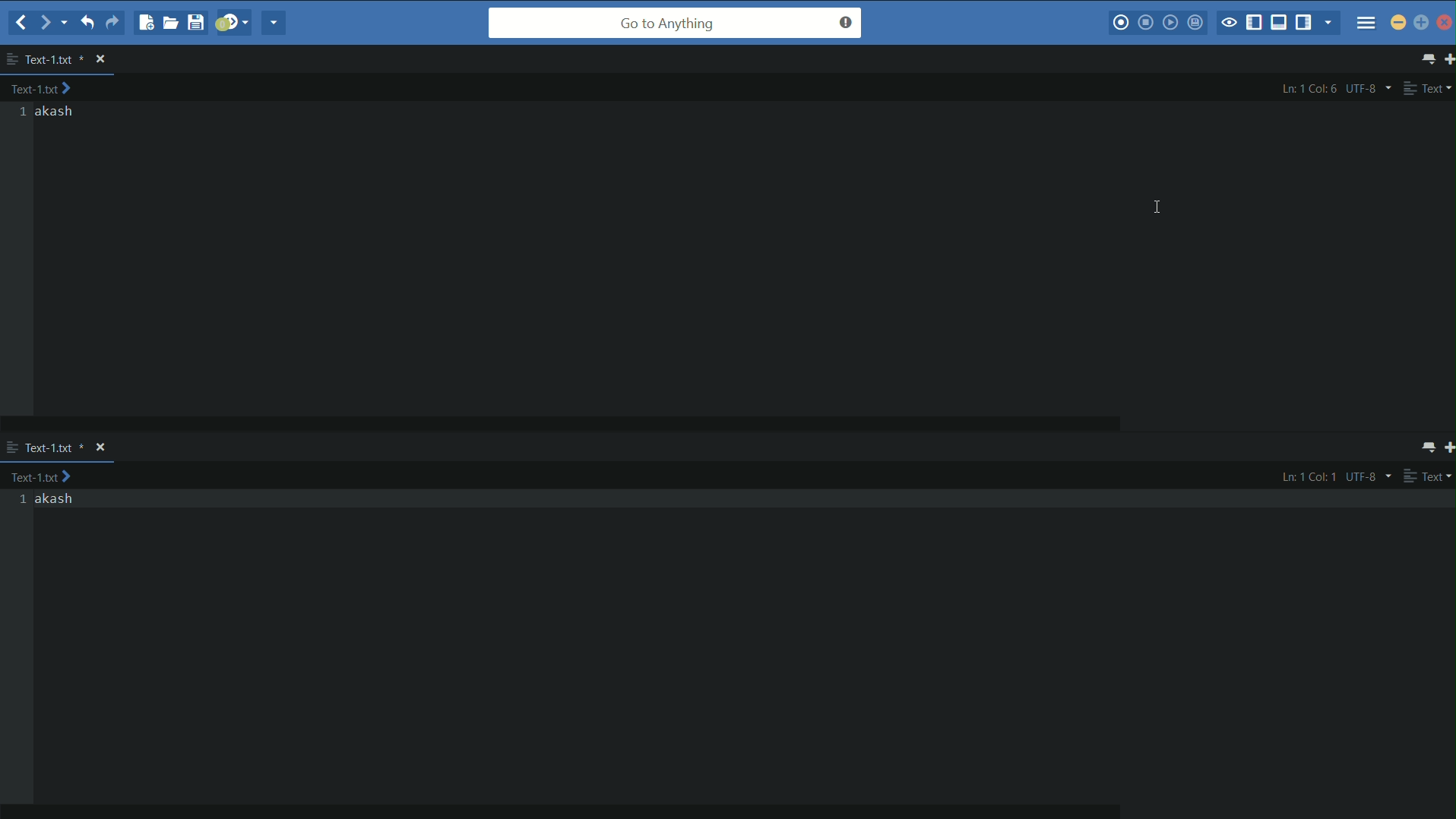  Describe the element at coordinates (1447, 449) in the screenshot. I see `new tab` at that location.